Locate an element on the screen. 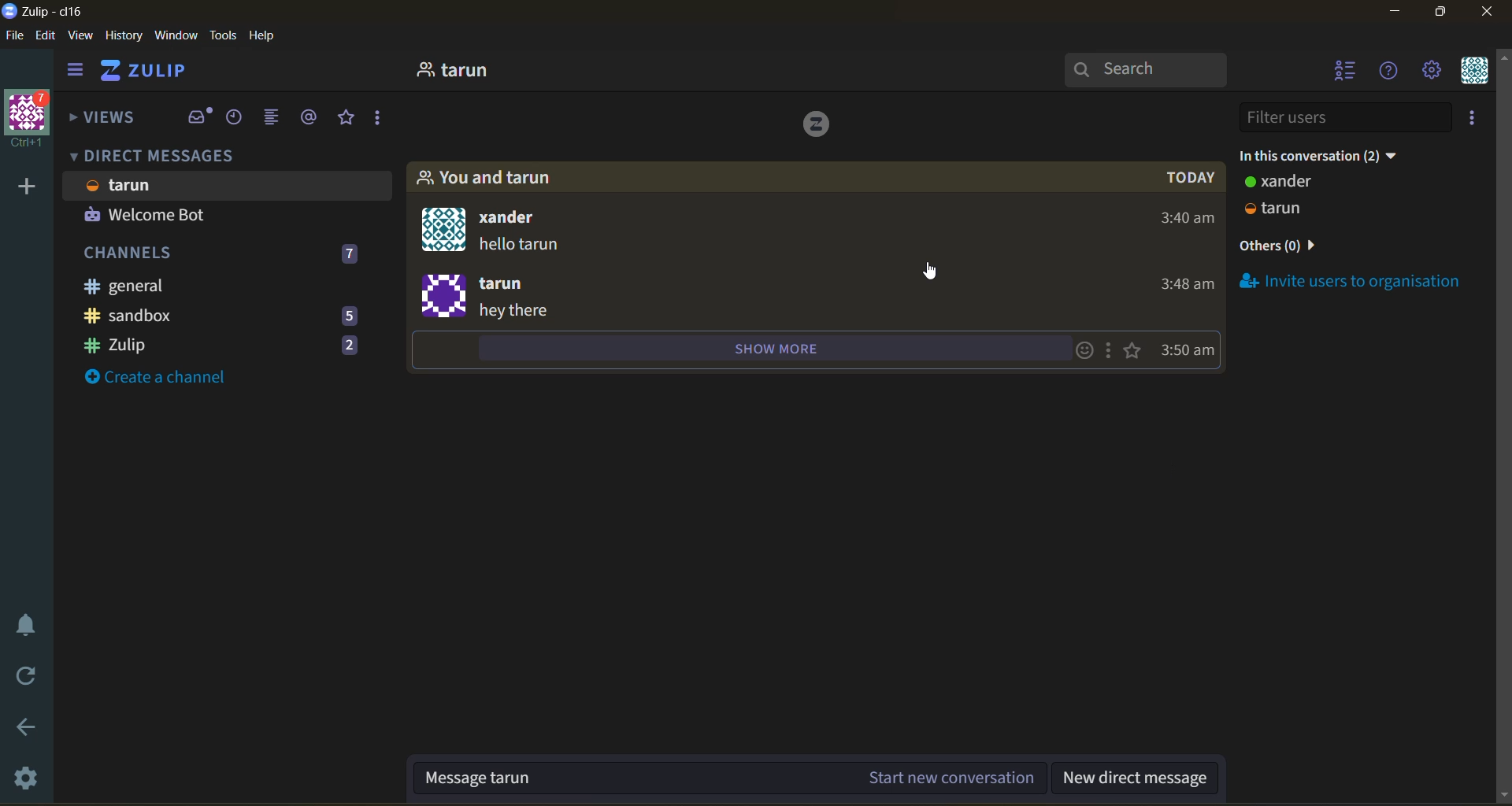 Image resolution: width=1512 pixels, height=806 pixels. general is located at coordinates (206, 287).